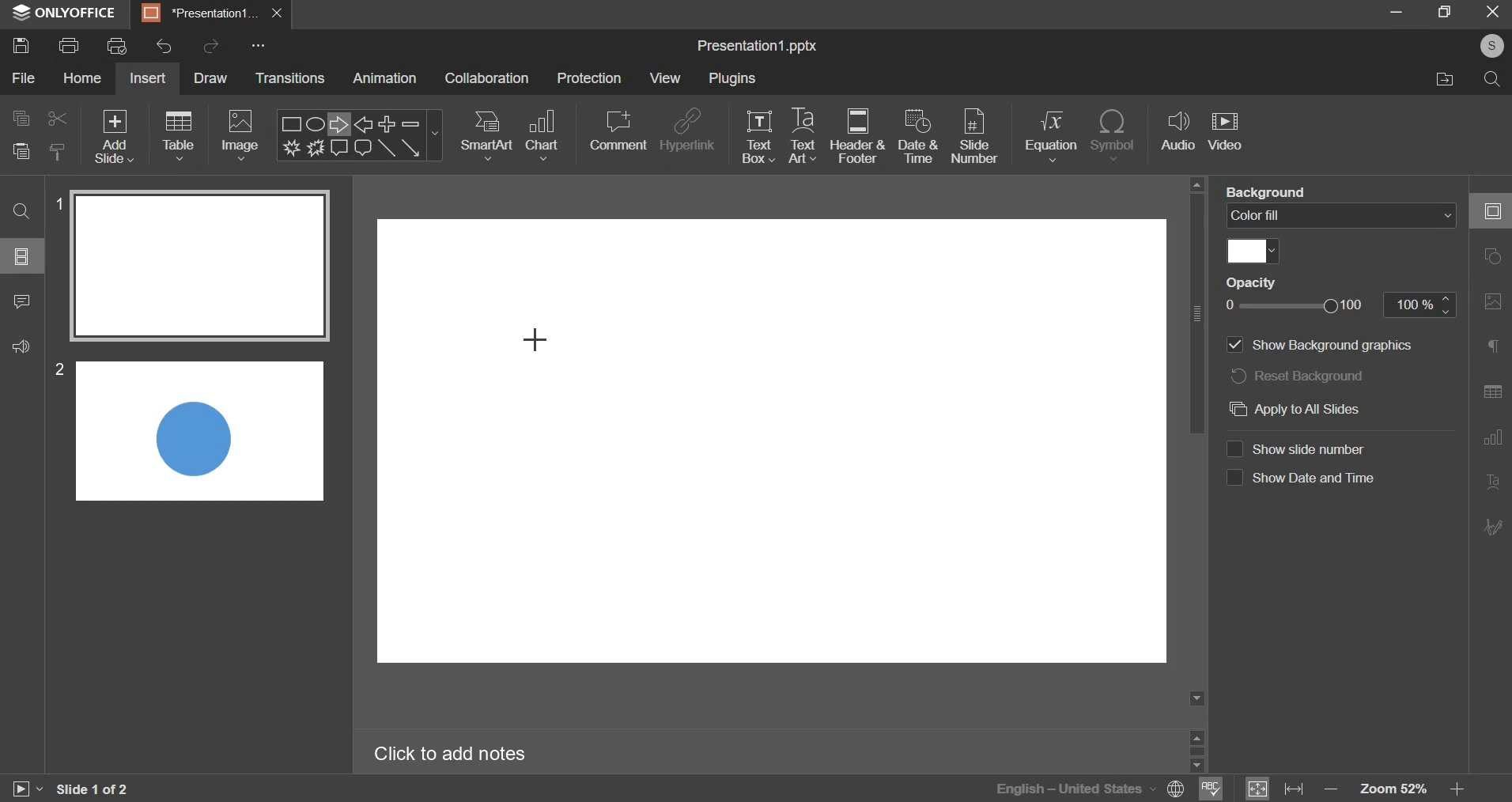 This screenshot has height=802, width=1512. I want to click on Explosion 2, so click(316, 147).